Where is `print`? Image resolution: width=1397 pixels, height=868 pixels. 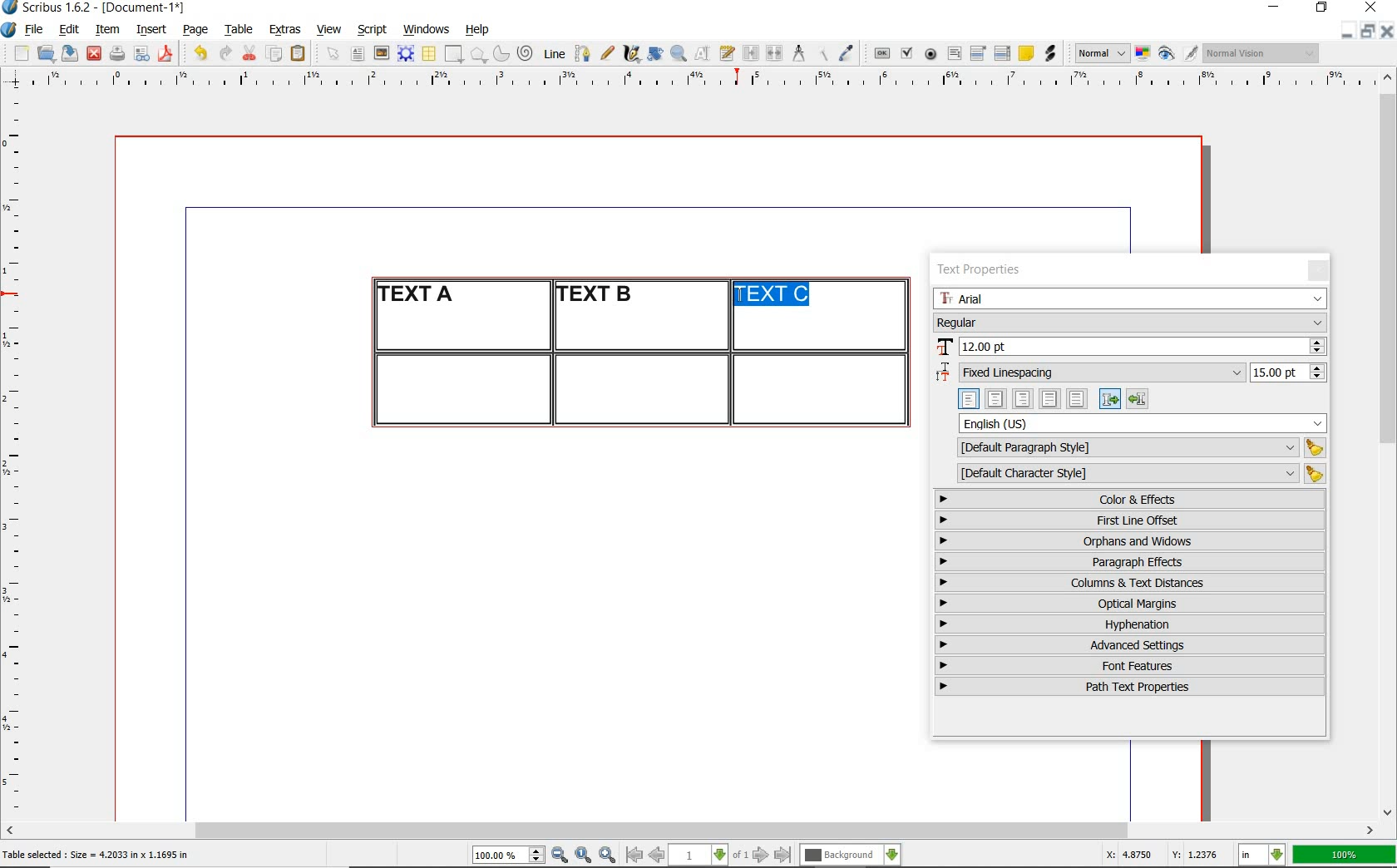 print is located at coordinates (116, 53).